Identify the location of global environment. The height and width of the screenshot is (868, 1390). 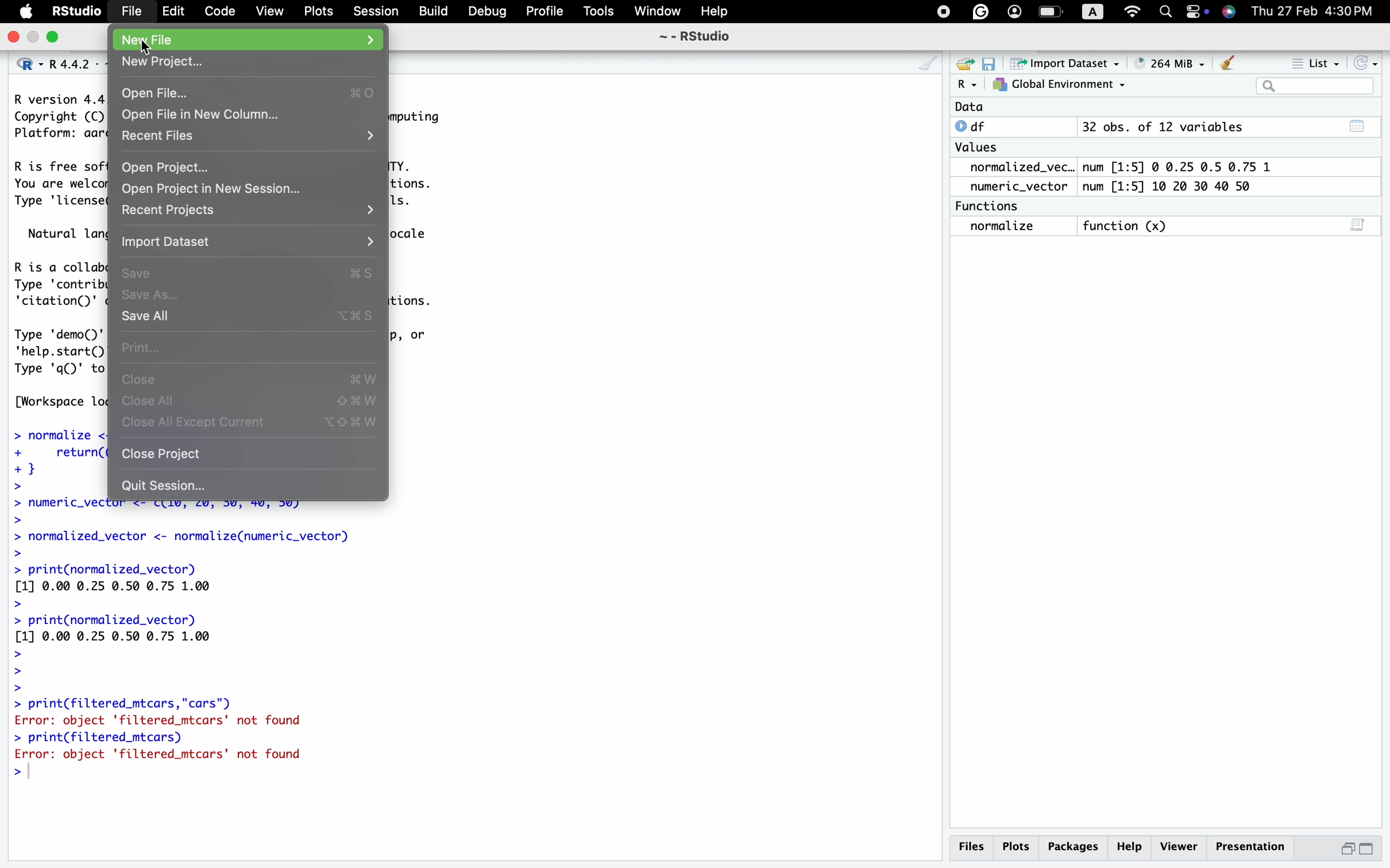
(1062, 86).